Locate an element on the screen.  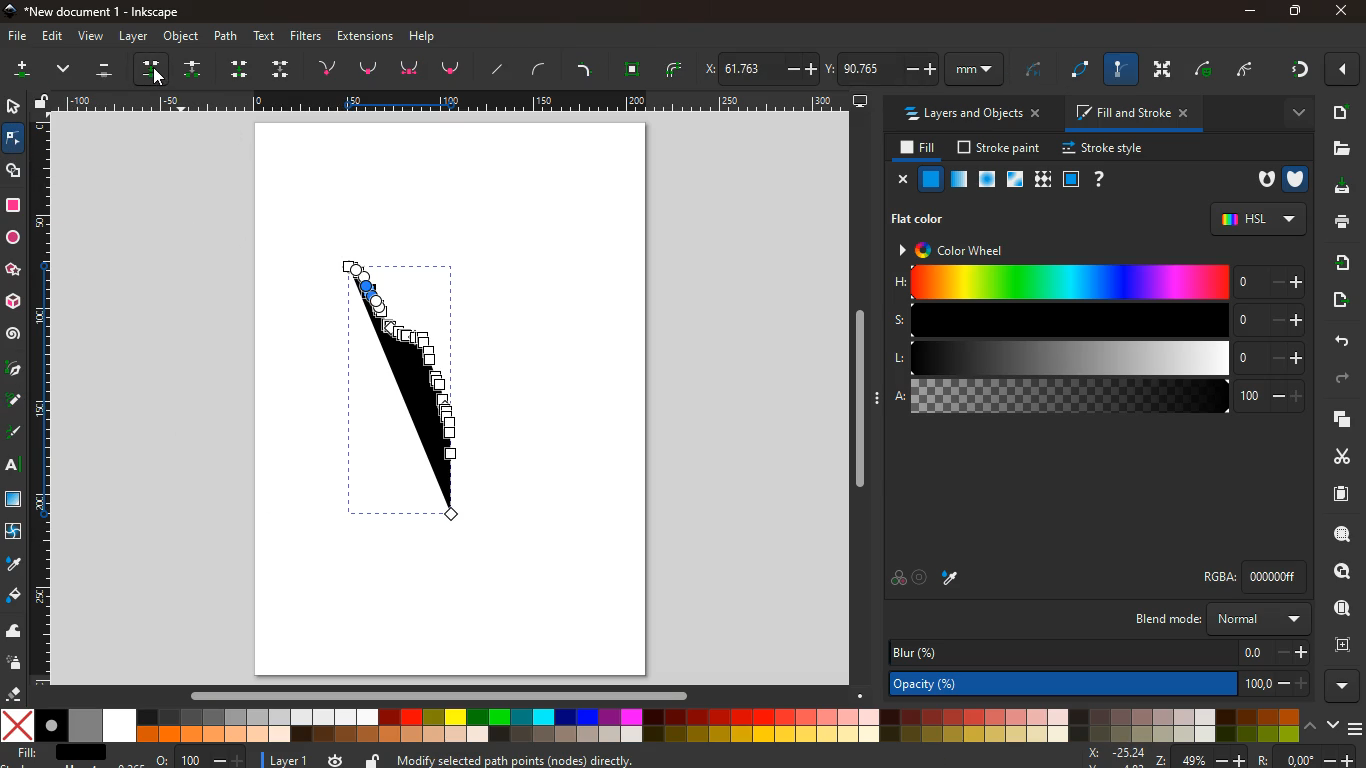
inkscape is located at coordinates (99, 10).